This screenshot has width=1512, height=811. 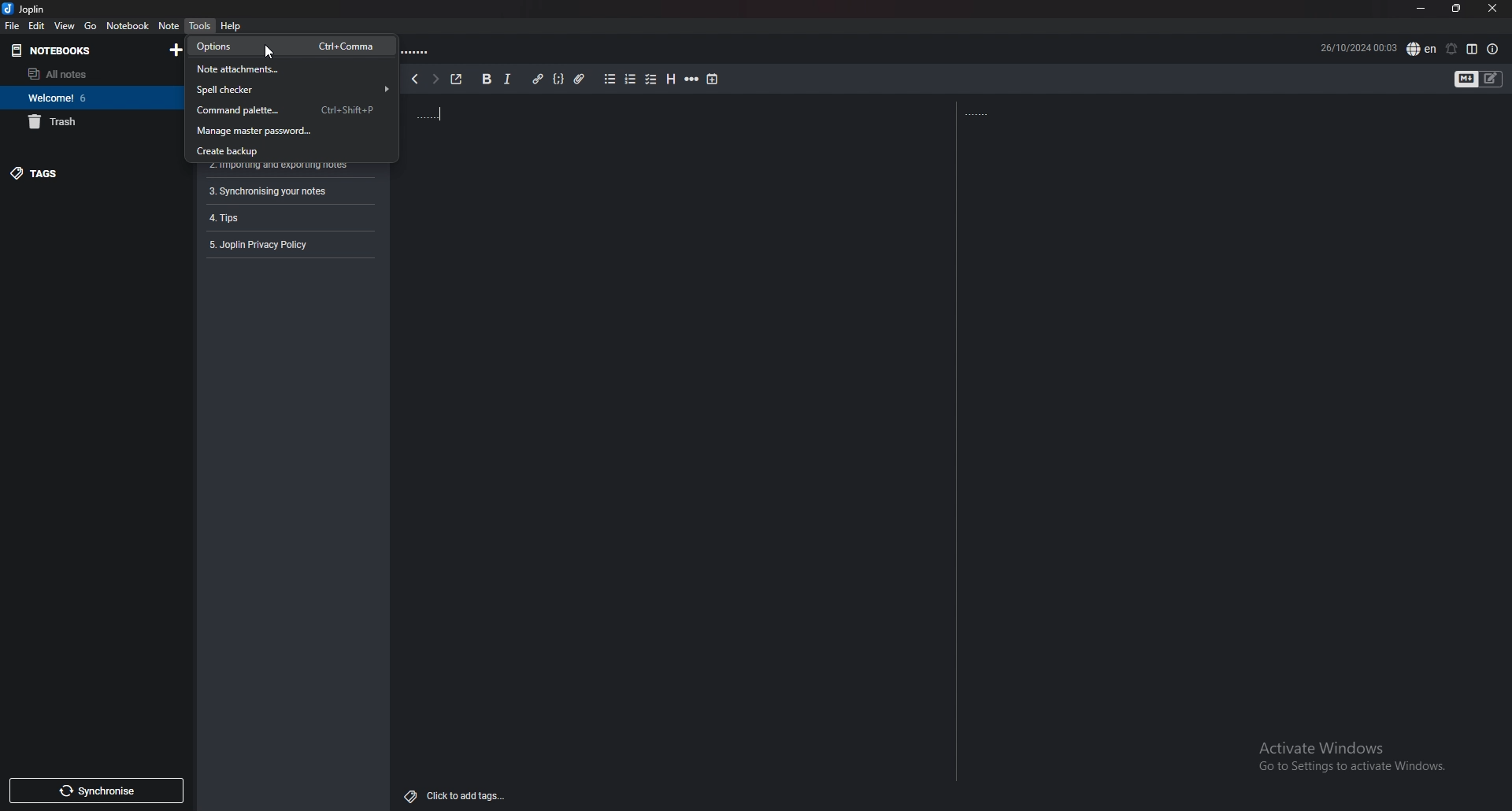 What do you see at coordinates (265, 245) in the screenshot?
I see `5. Joplin Privacy Policy` at bounding box center [265, 245].